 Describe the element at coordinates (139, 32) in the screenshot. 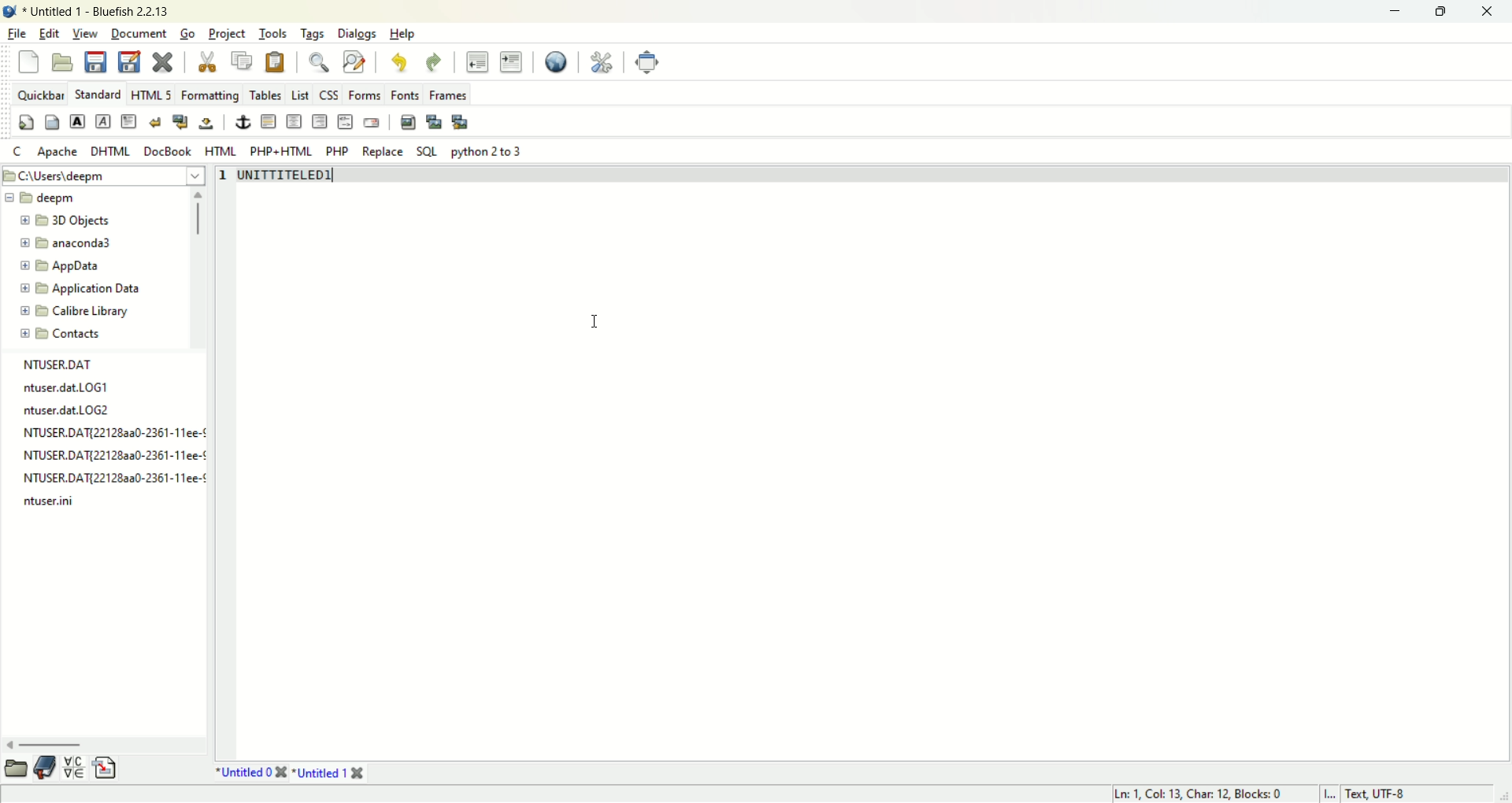

I see `document` at that location.